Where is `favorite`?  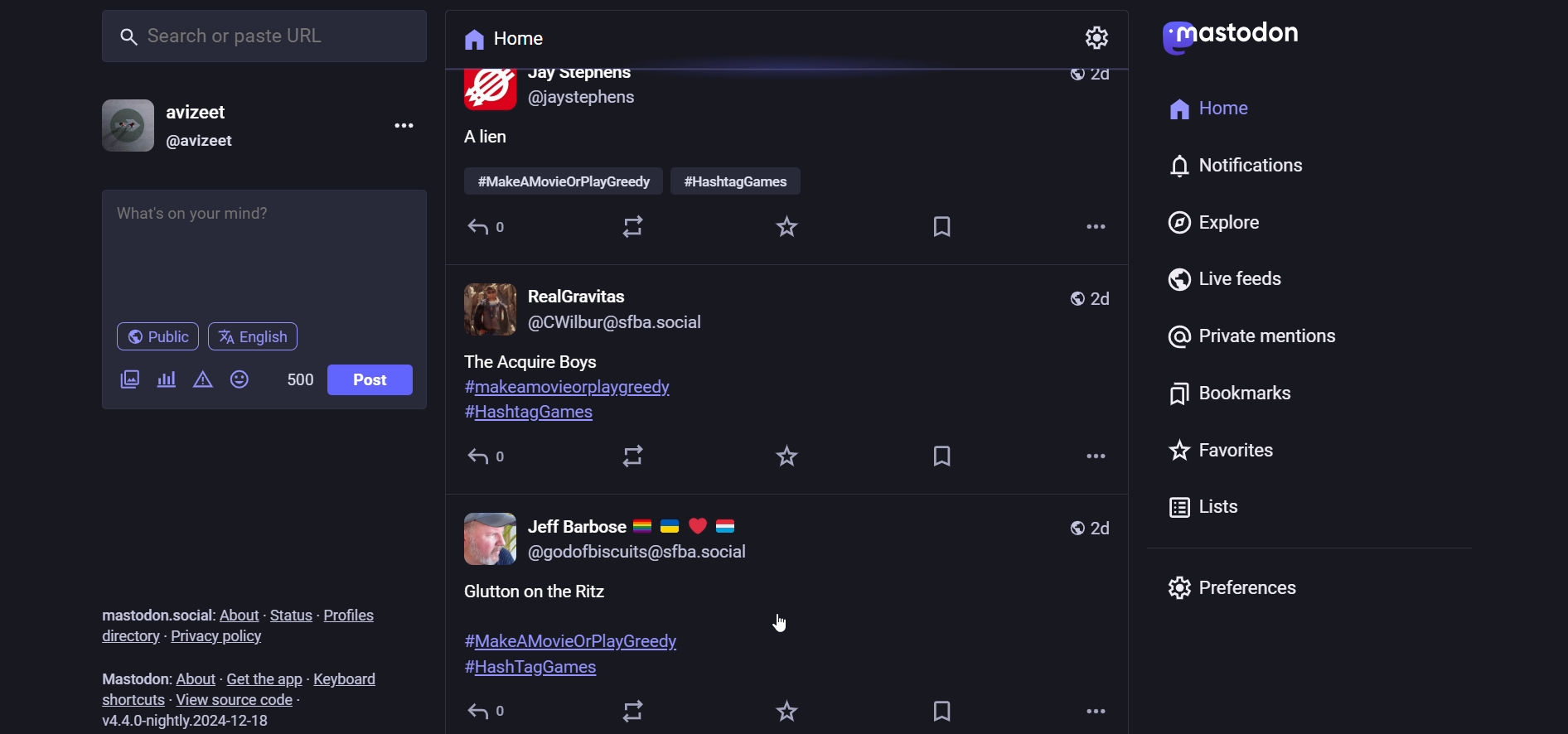
favorite is located at coordinates (784, 711).